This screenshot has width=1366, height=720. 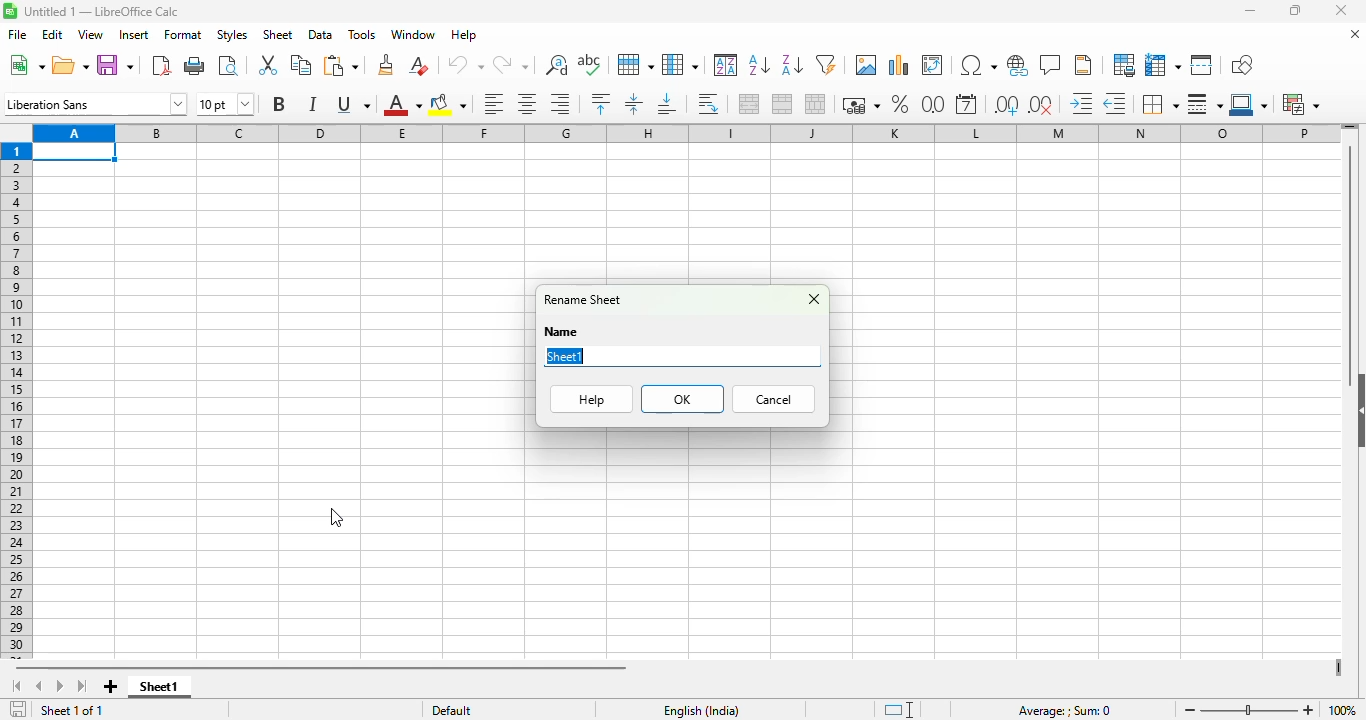 What do you see at coordinates (337, 517) in the screenshot?
I see `cursor` at bounding box center [337, 517].